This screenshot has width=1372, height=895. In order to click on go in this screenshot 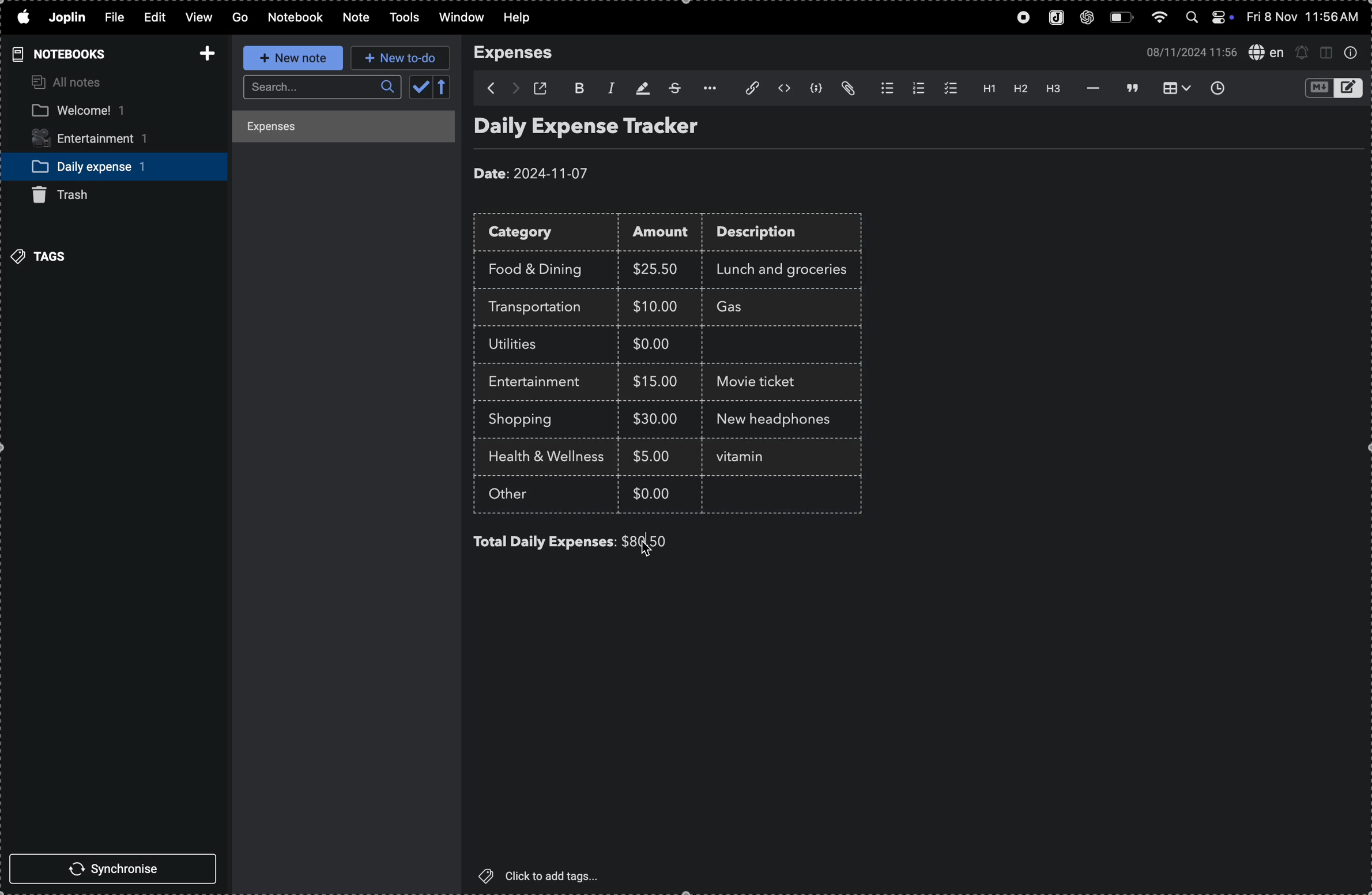, I will do `click(239, 18)`.